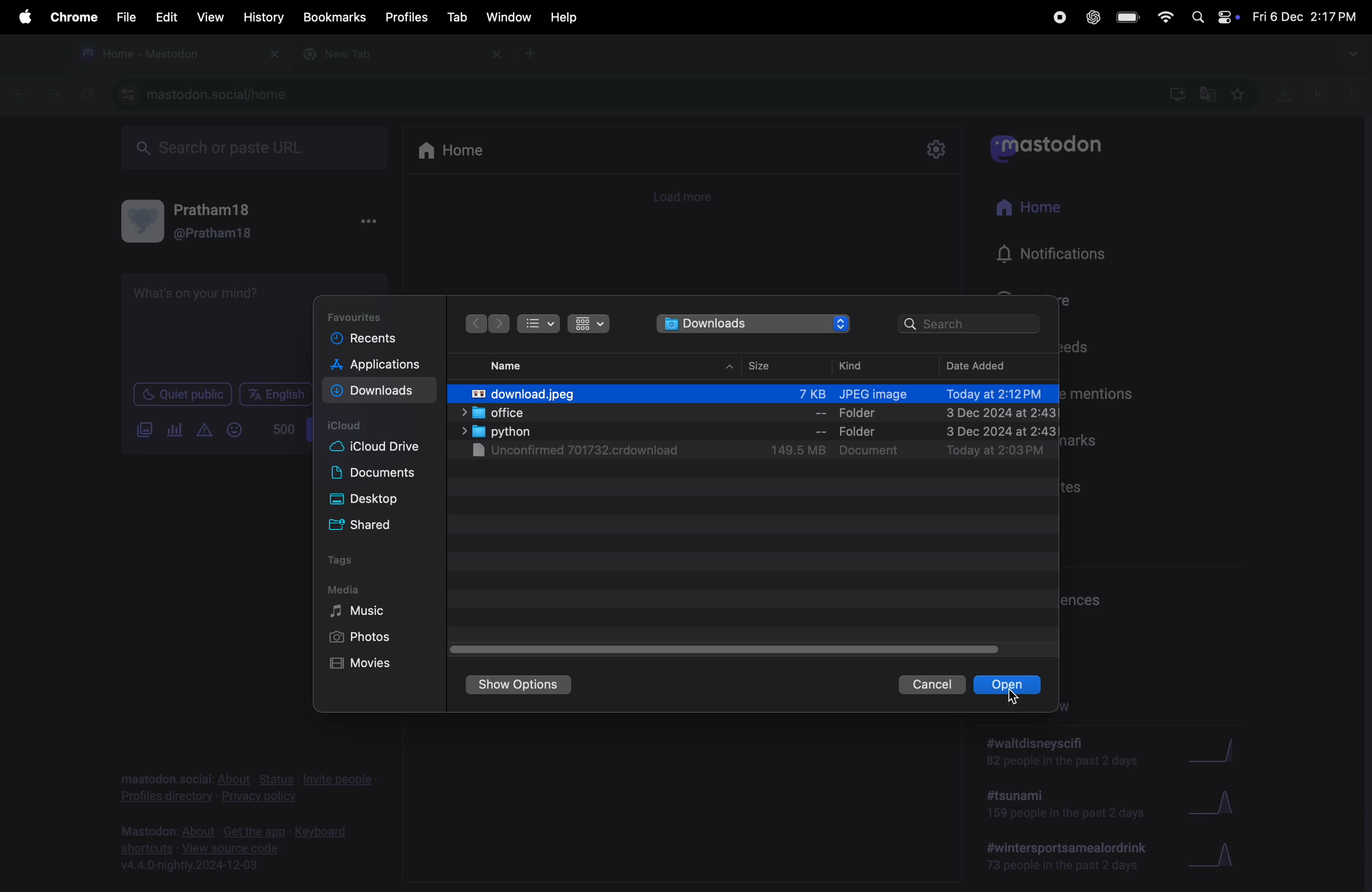 The image size is (1372, 892). What do you see at coordinates (1073, 747) in the screenshot?
I see `walt disney scifi` at bounding box center [1073, 747].